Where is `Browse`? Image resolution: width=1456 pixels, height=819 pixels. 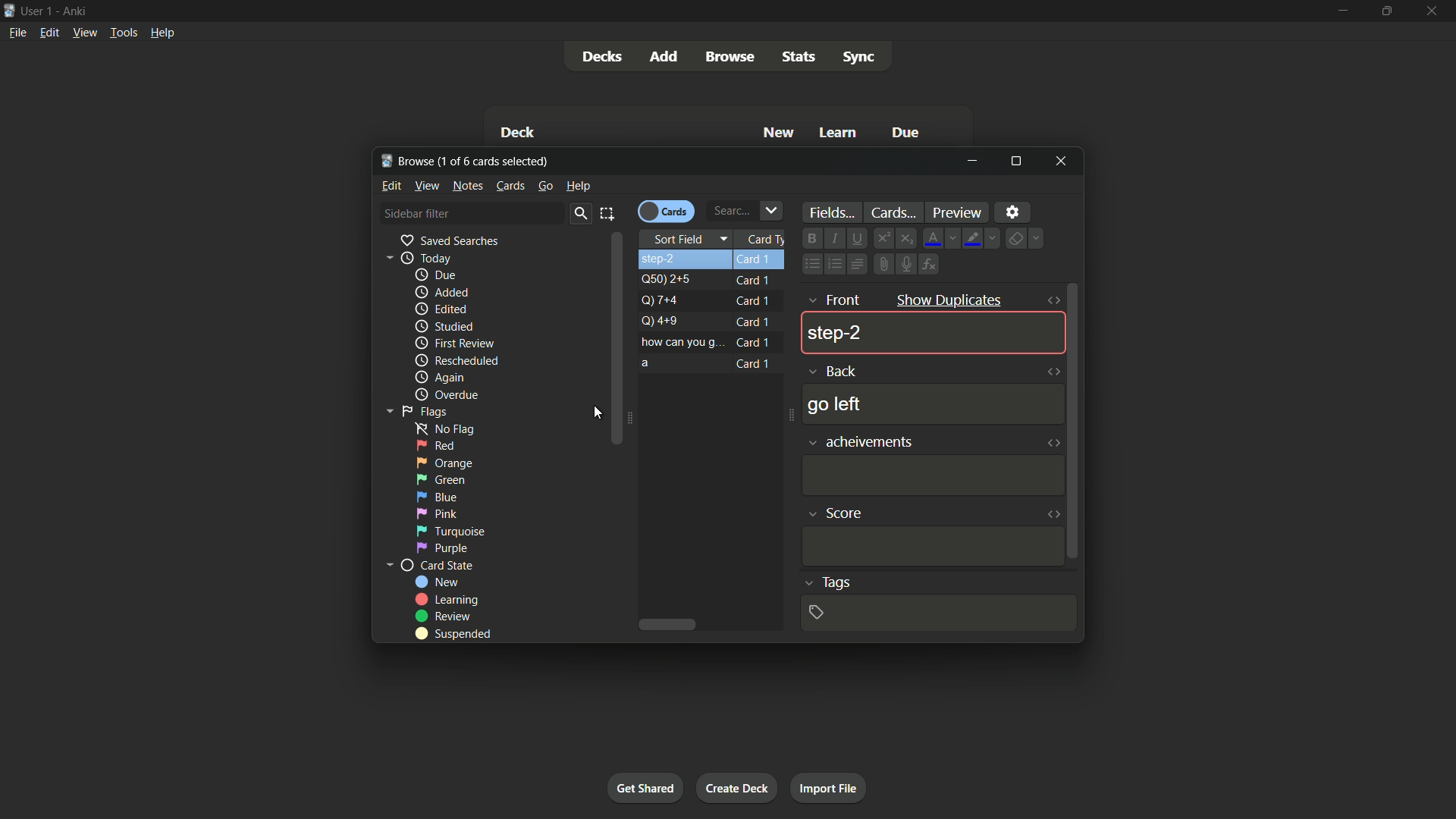
Browse is located at coordinates (408, 160).